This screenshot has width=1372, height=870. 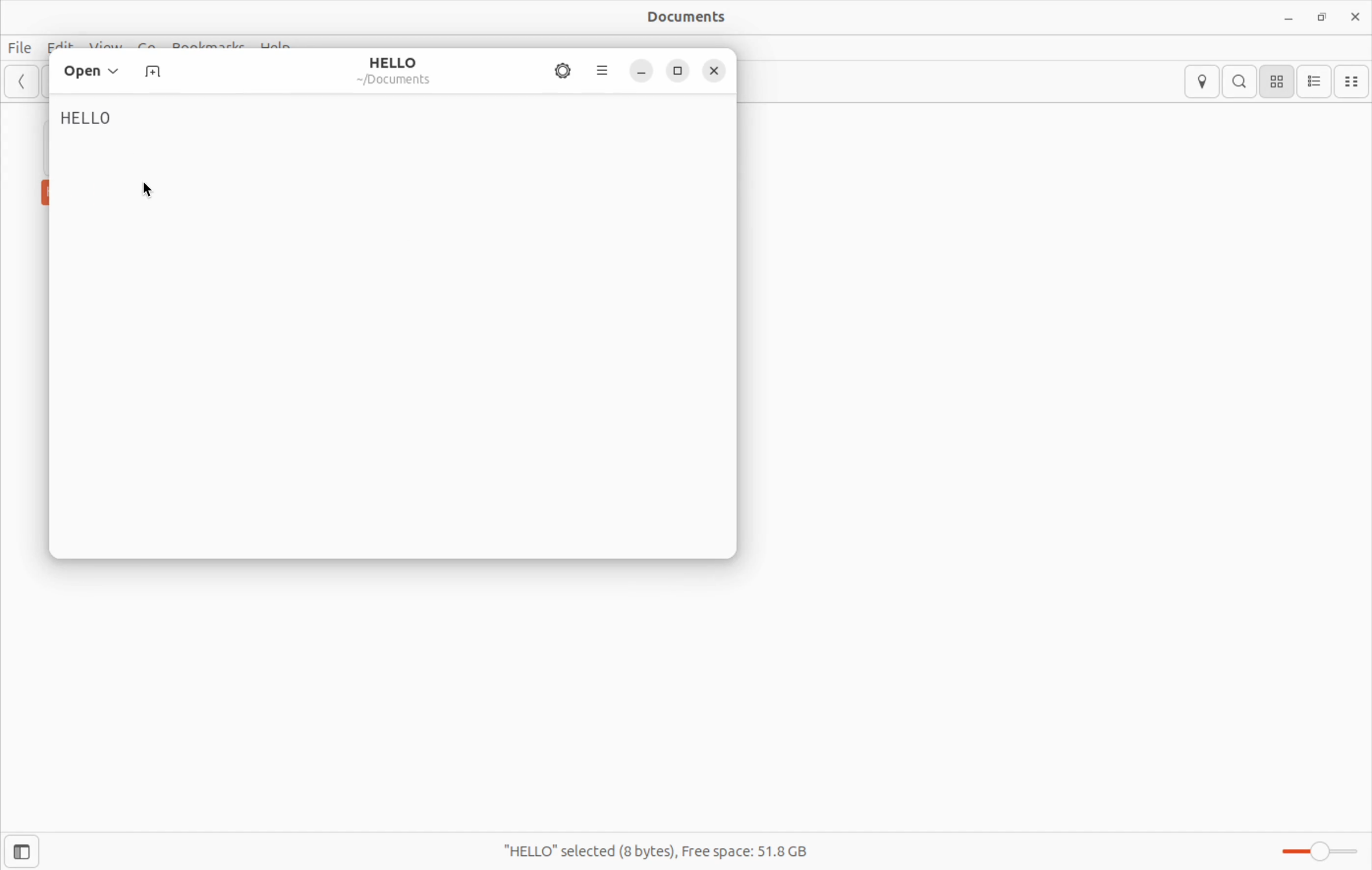 I want to click on Zoom, so click(x=1312, y=851).